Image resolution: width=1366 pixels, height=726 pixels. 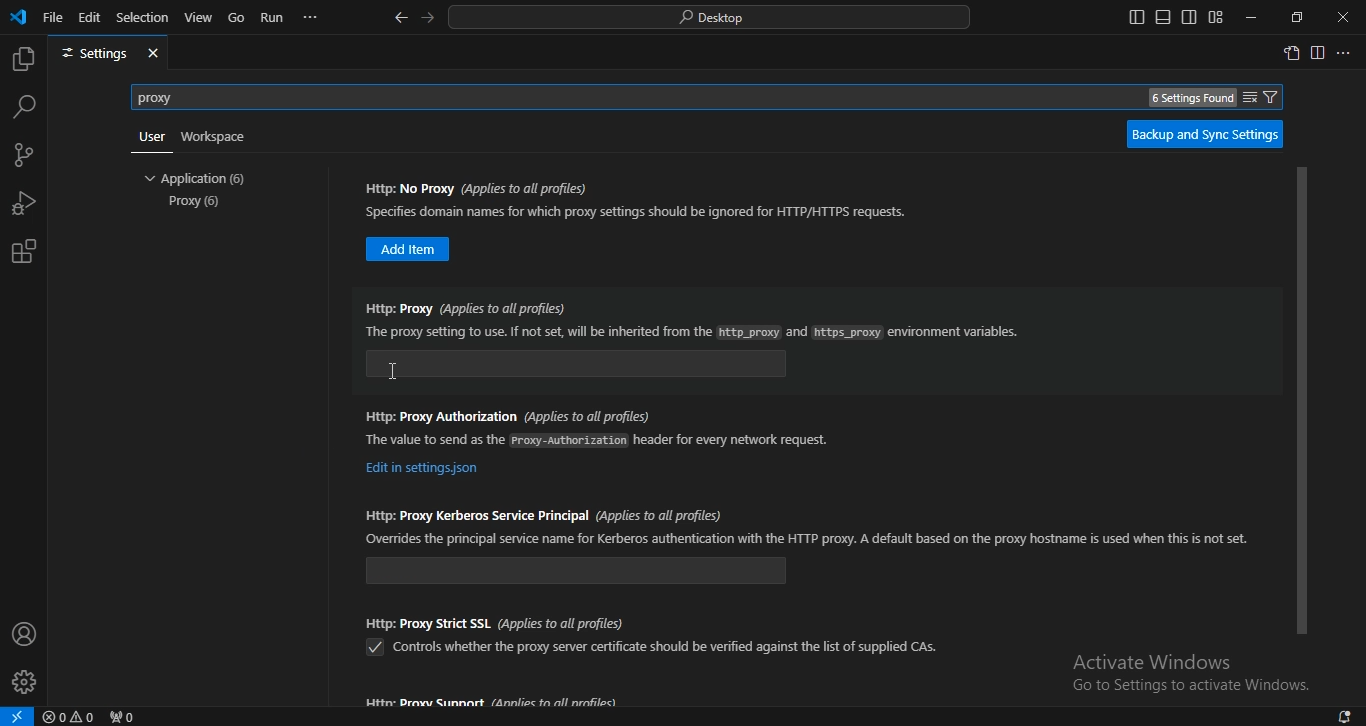 What do you see at coordinates (313, 18) in the screenshot?
I see `...` at bounding box center [313, 18].